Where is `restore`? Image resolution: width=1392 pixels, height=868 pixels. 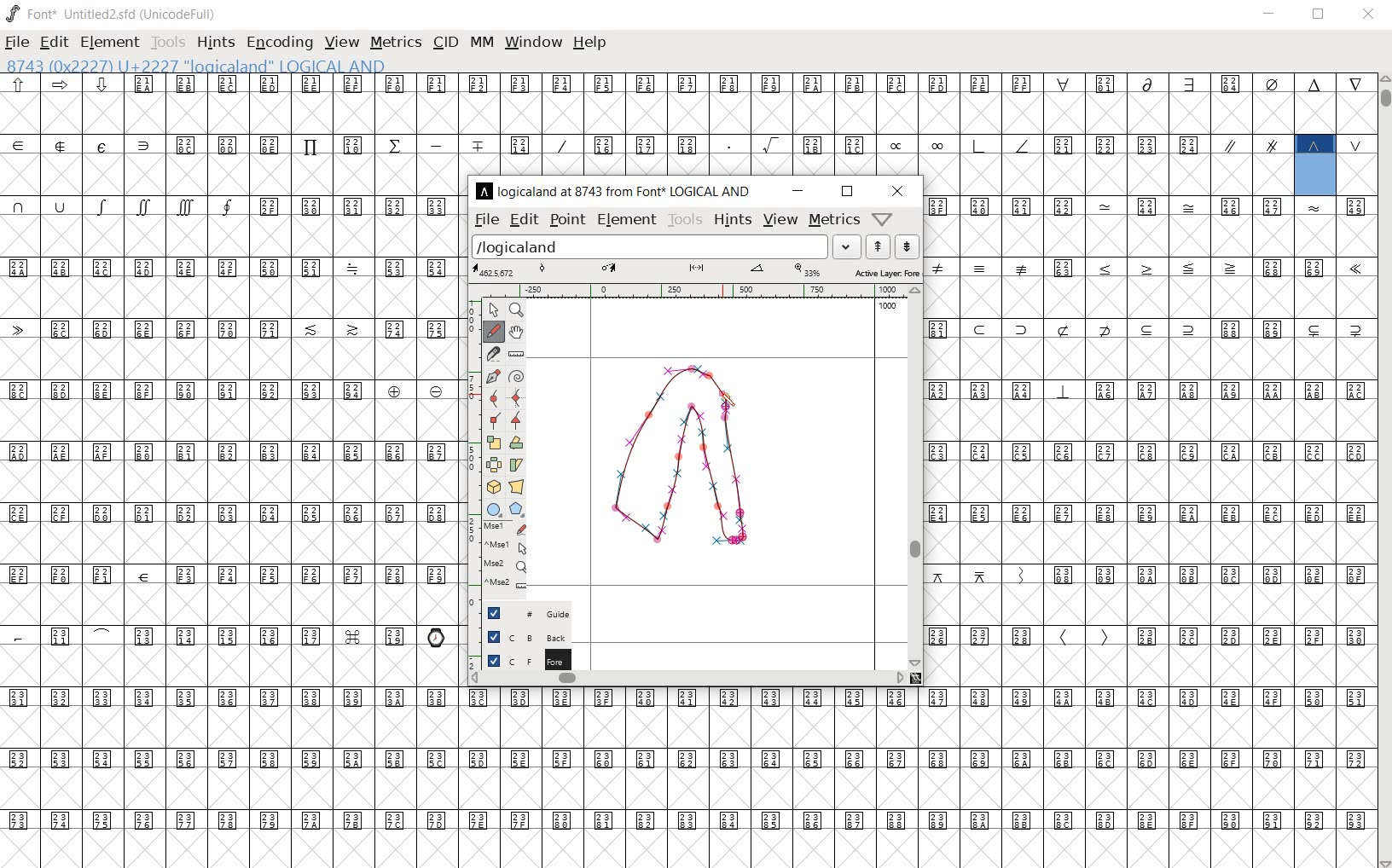 restore is located at coordinates (1319, 14).